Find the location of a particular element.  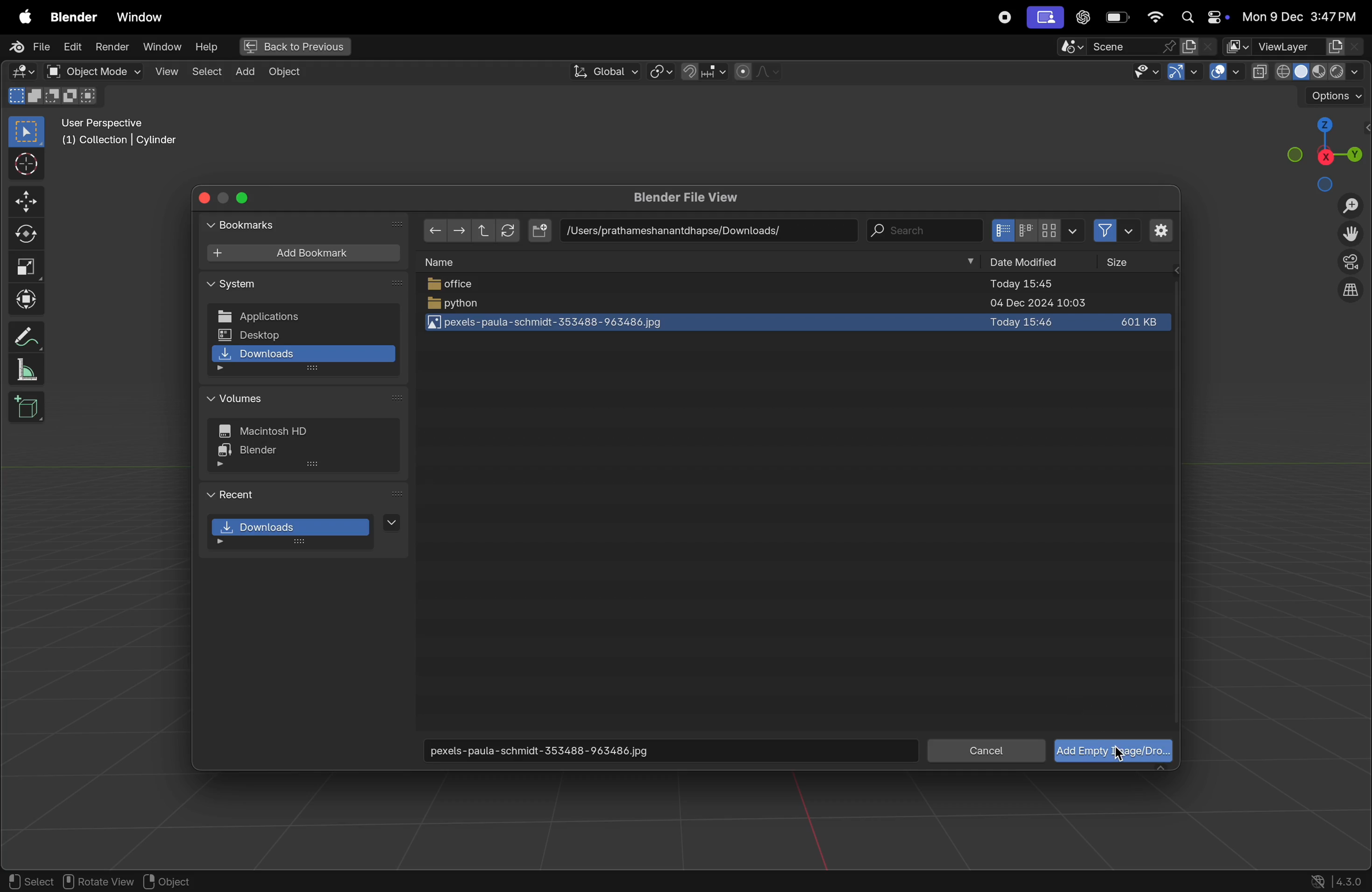

pffice is located at coordinates (800, 286).